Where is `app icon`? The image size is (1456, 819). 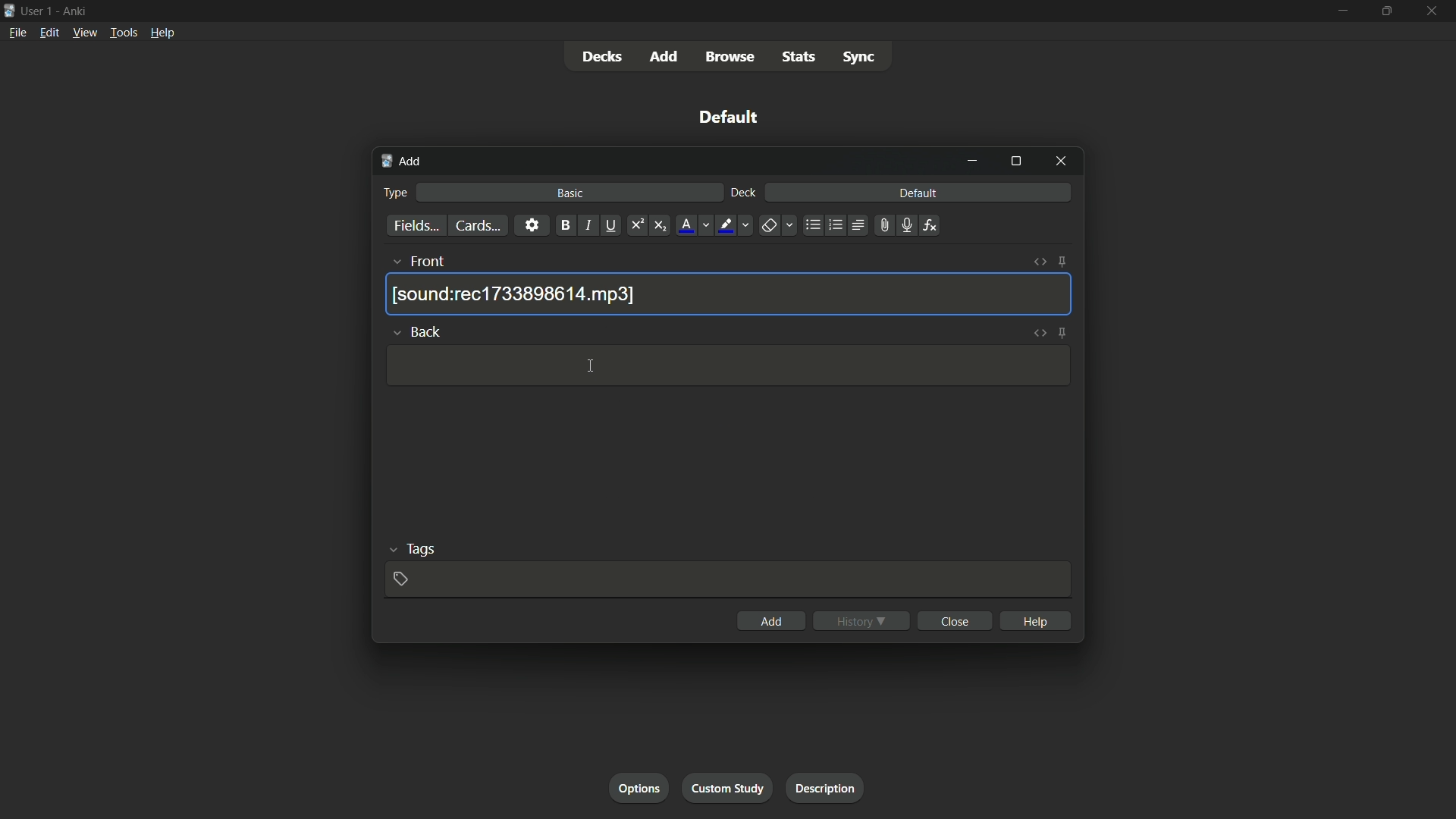 app icon is located at coordinates (9, 9).